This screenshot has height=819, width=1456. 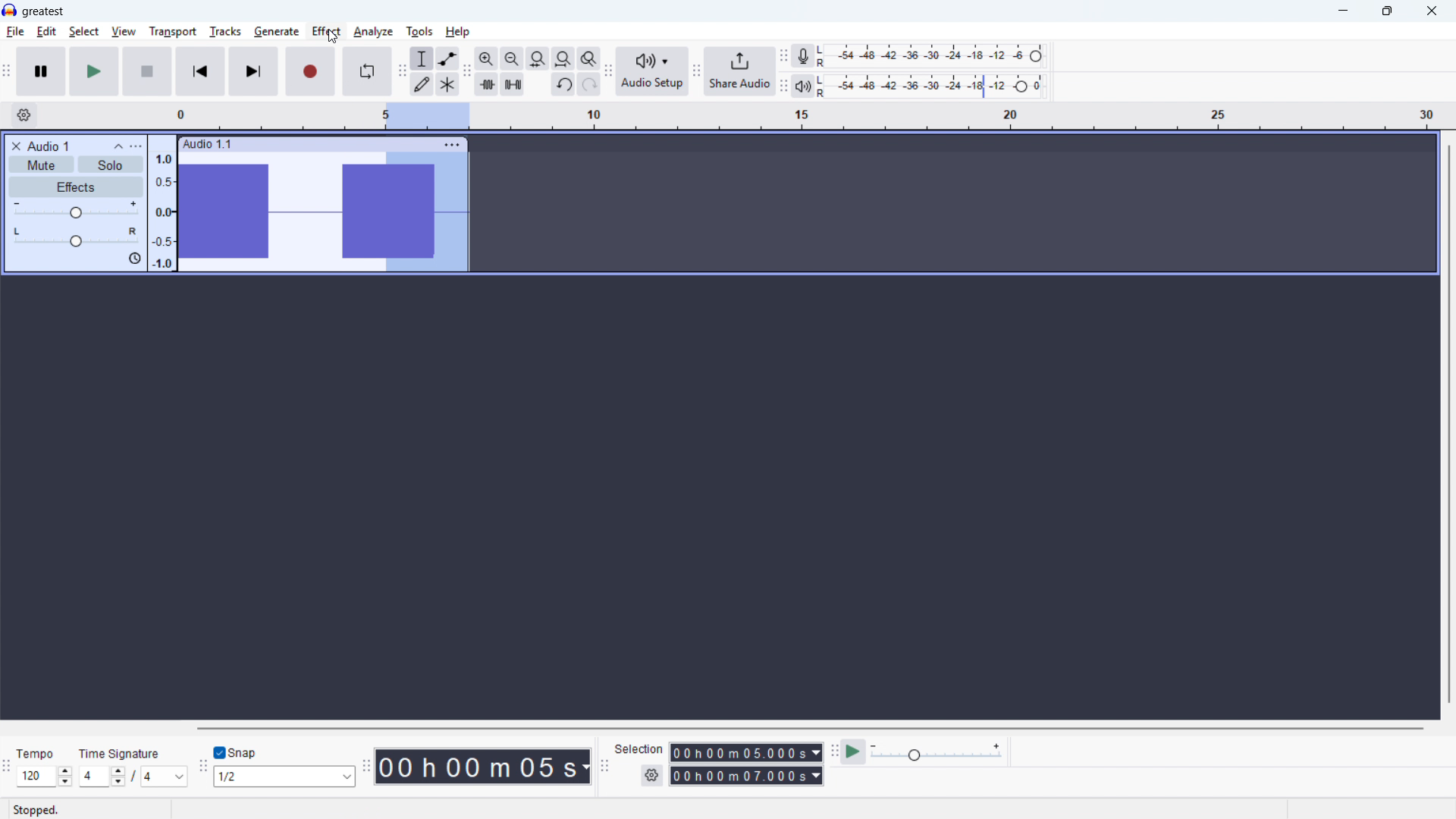 I want to click on generate, so click(x=277, y=33).